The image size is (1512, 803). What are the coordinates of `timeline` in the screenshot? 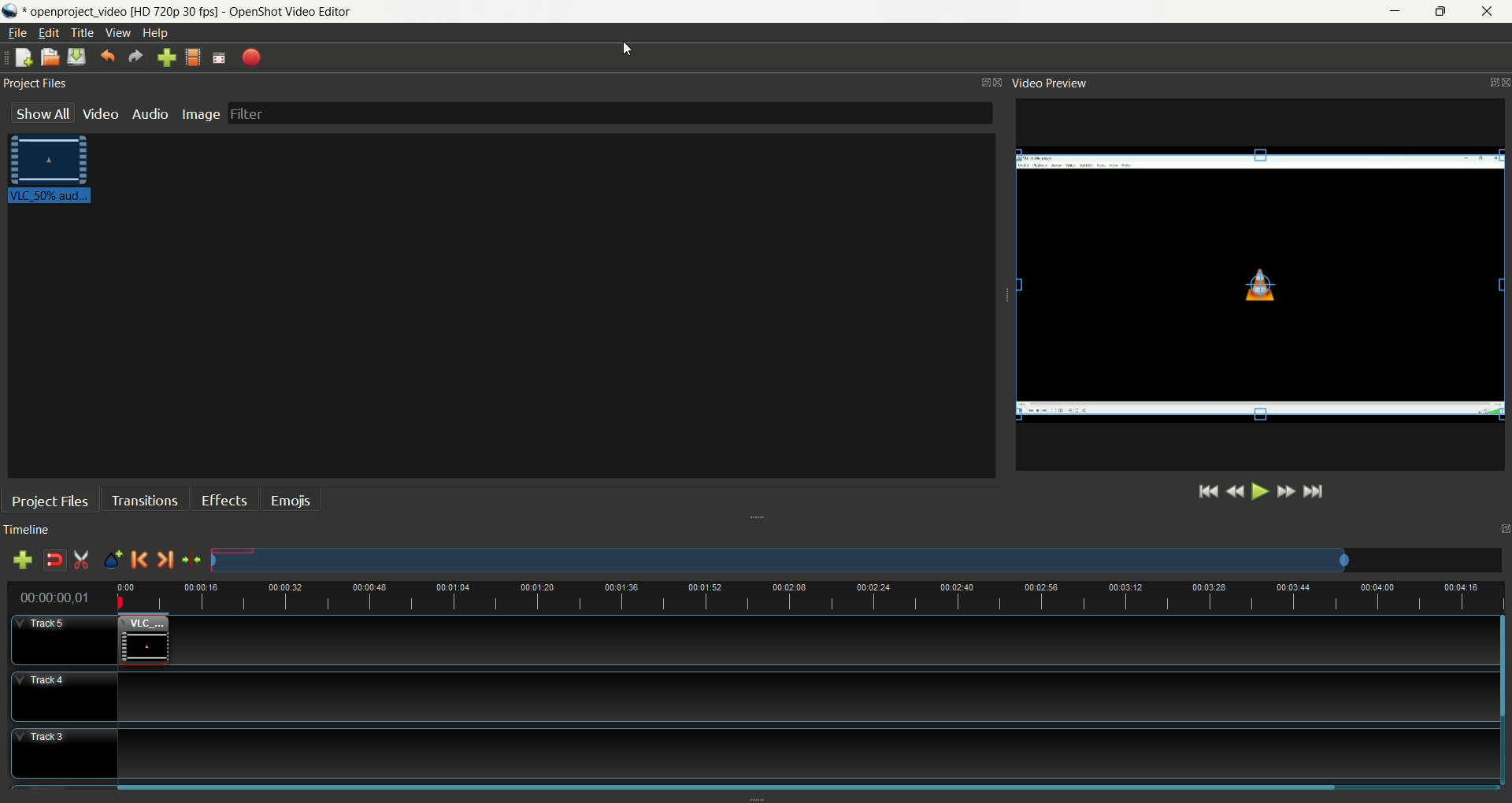 It's located at (31, 529).